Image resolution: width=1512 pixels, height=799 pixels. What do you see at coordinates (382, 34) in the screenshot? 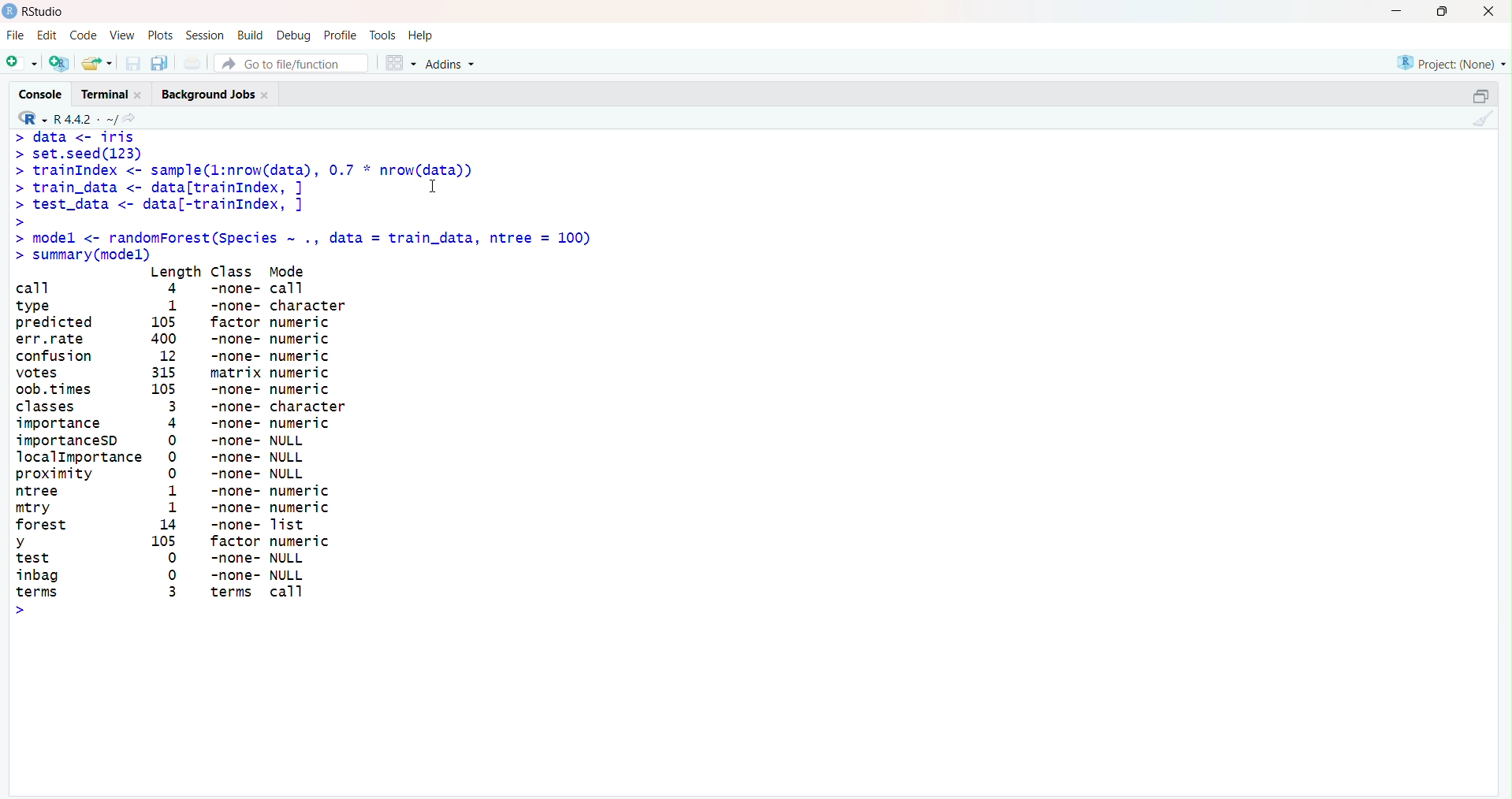
I see `Tools` at bounding box center [382, 34].